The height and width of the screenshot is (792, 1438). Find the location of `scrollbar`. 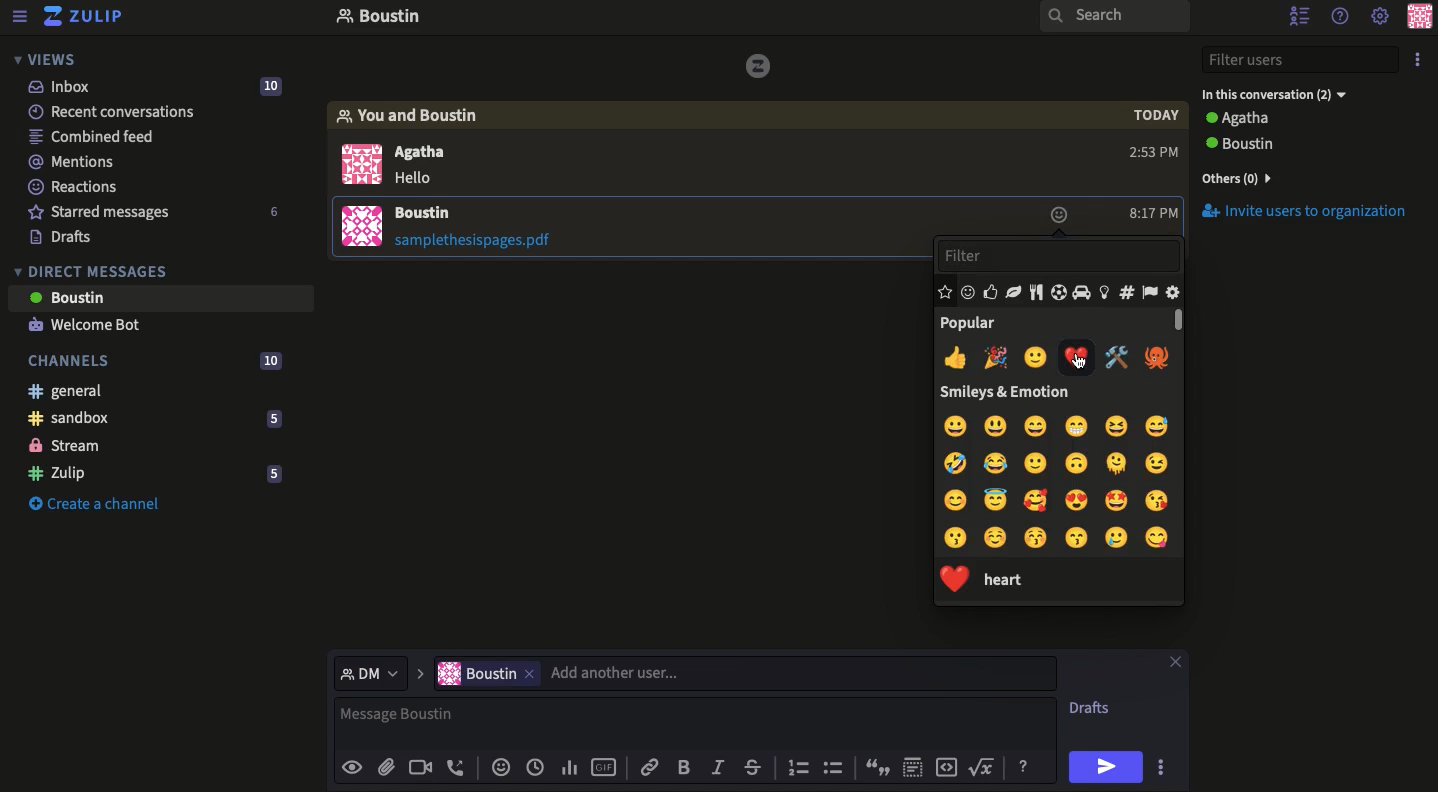

scrollbar is located at coordinates (1176, 319).